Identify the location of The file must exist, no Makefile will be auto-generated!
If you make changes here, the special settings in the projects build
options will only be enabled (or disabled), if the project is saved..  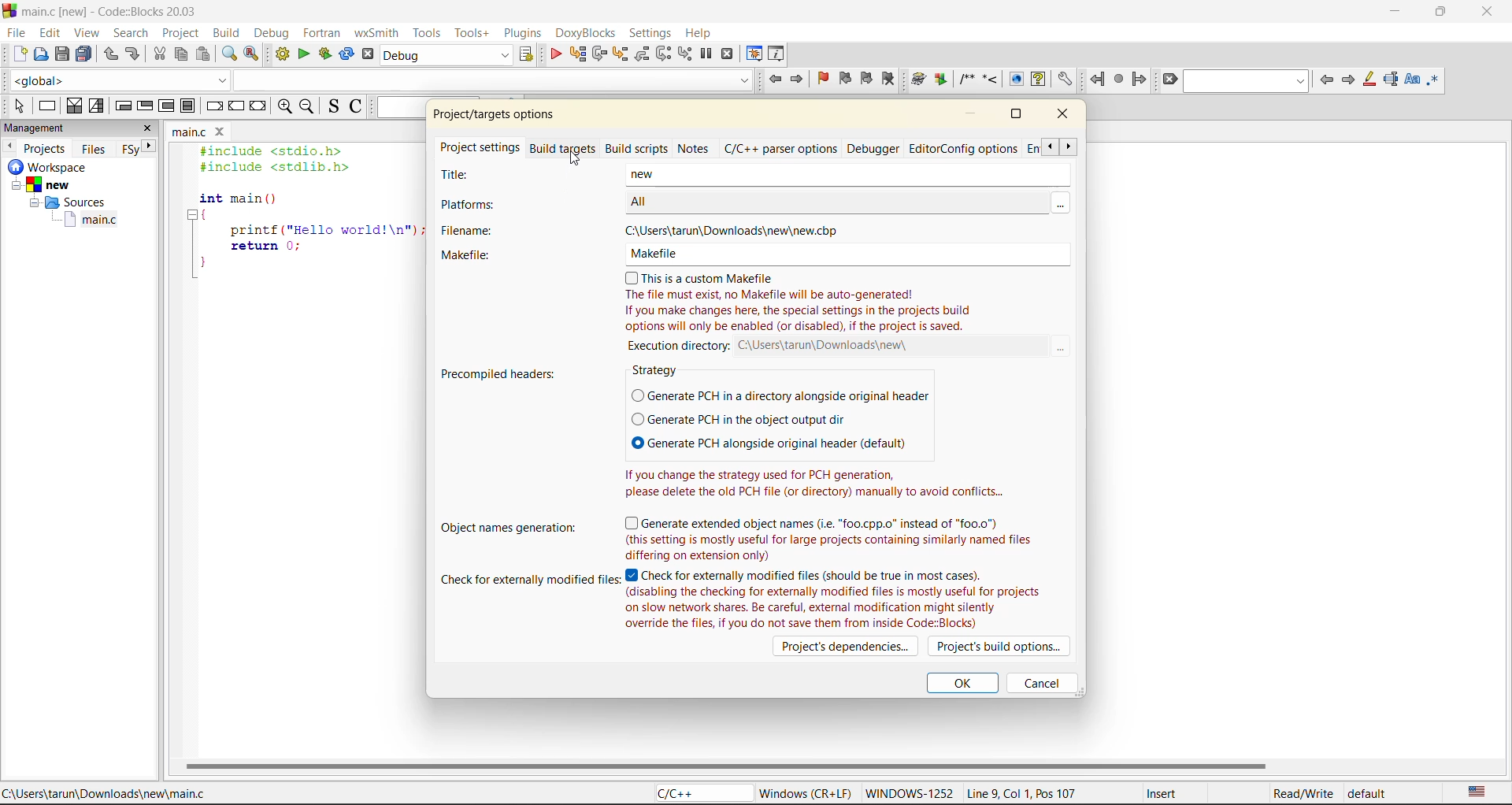
(805, 311).